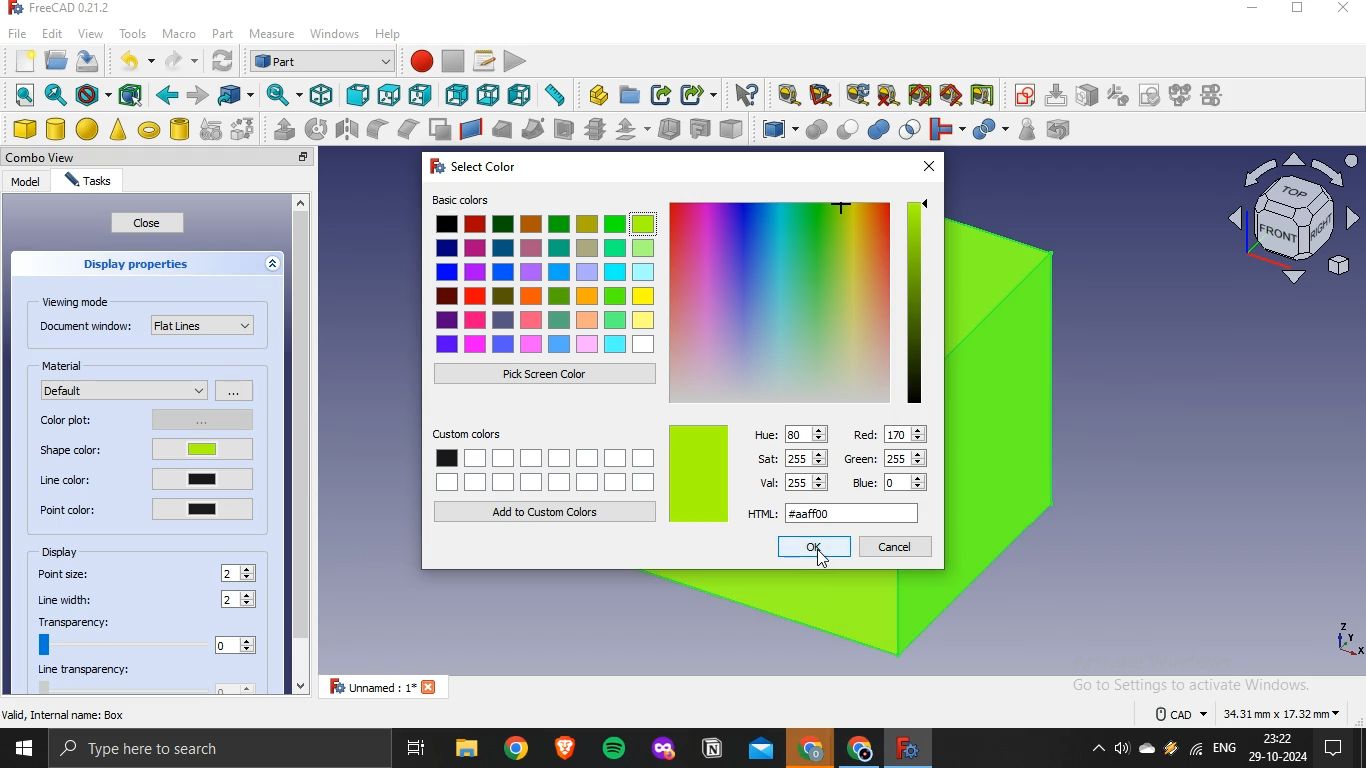 The image size is (1366, 768). I want to click on isometric, so click(321, 94).